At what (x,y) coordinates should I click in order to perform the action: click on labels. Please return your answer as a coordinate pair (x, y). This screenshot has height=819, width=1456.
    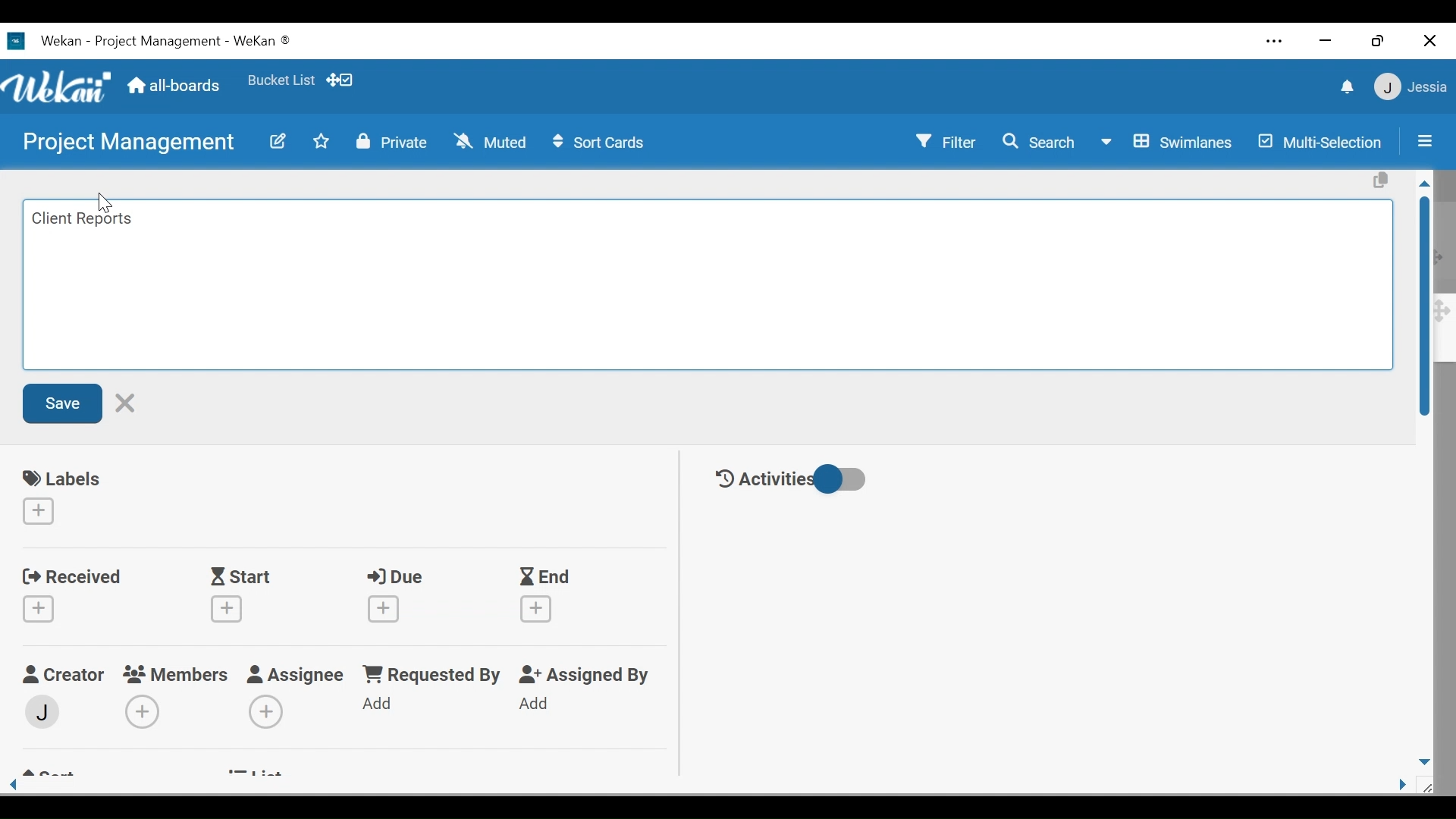
    Looking at the image, I should click on (63, 479).